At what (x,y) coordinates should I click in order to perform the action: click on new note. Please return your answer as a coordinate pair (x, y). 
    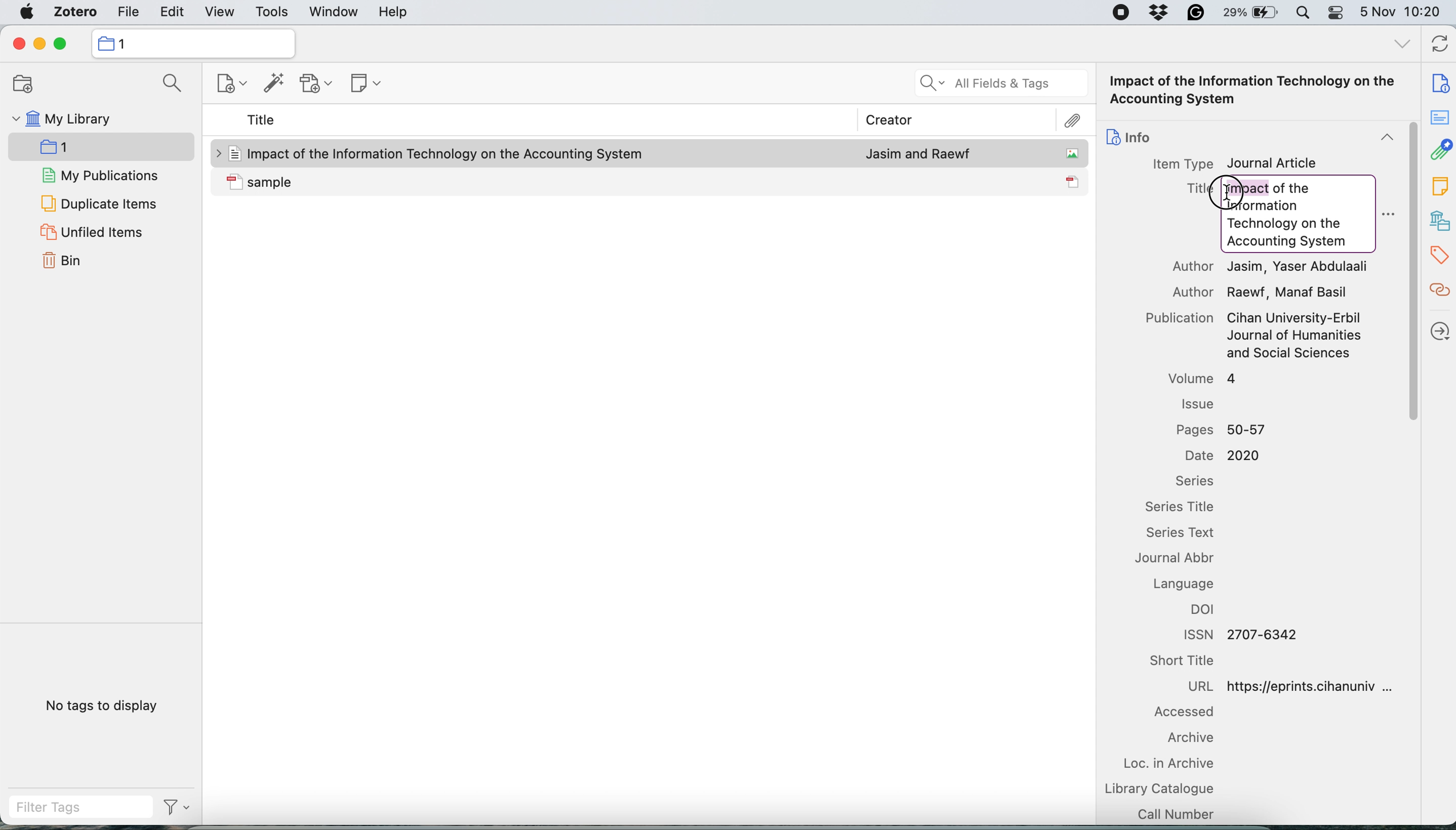
    Looking at the image, I should click on (364, 84).